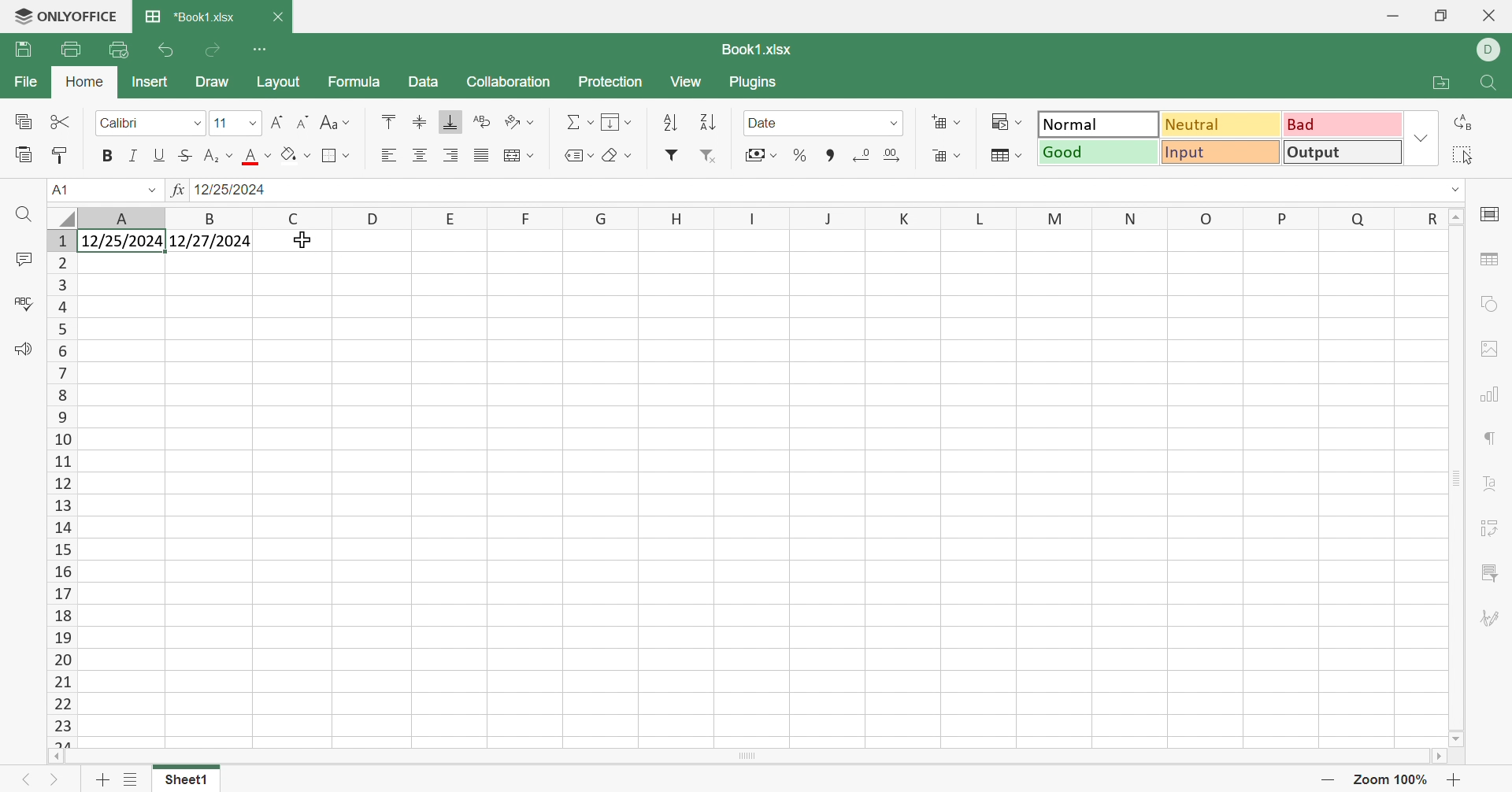  I want to click on Input, so click(1221, 154).